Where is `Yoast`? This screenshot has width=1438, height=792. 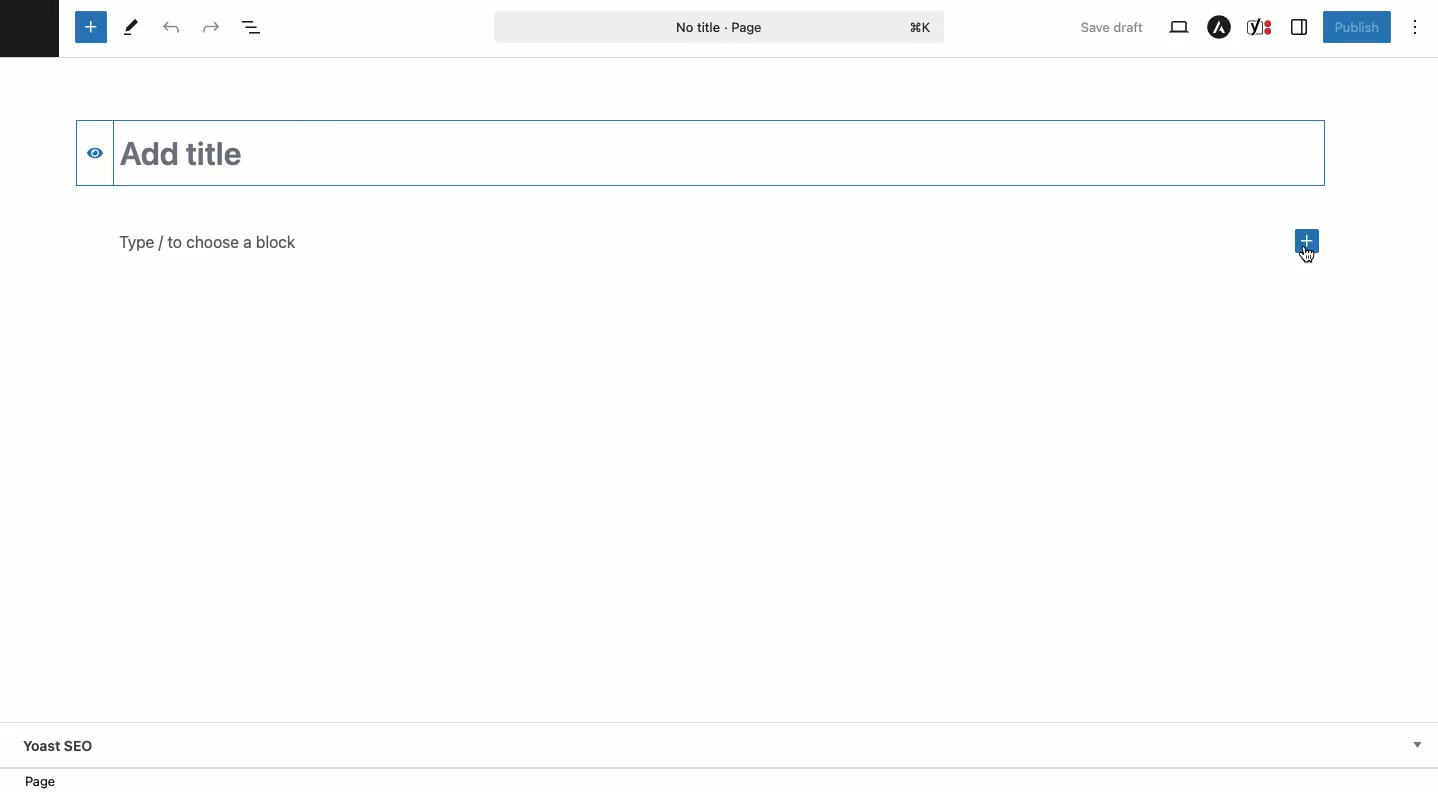
Yoast is located at coordinates (74, 744).